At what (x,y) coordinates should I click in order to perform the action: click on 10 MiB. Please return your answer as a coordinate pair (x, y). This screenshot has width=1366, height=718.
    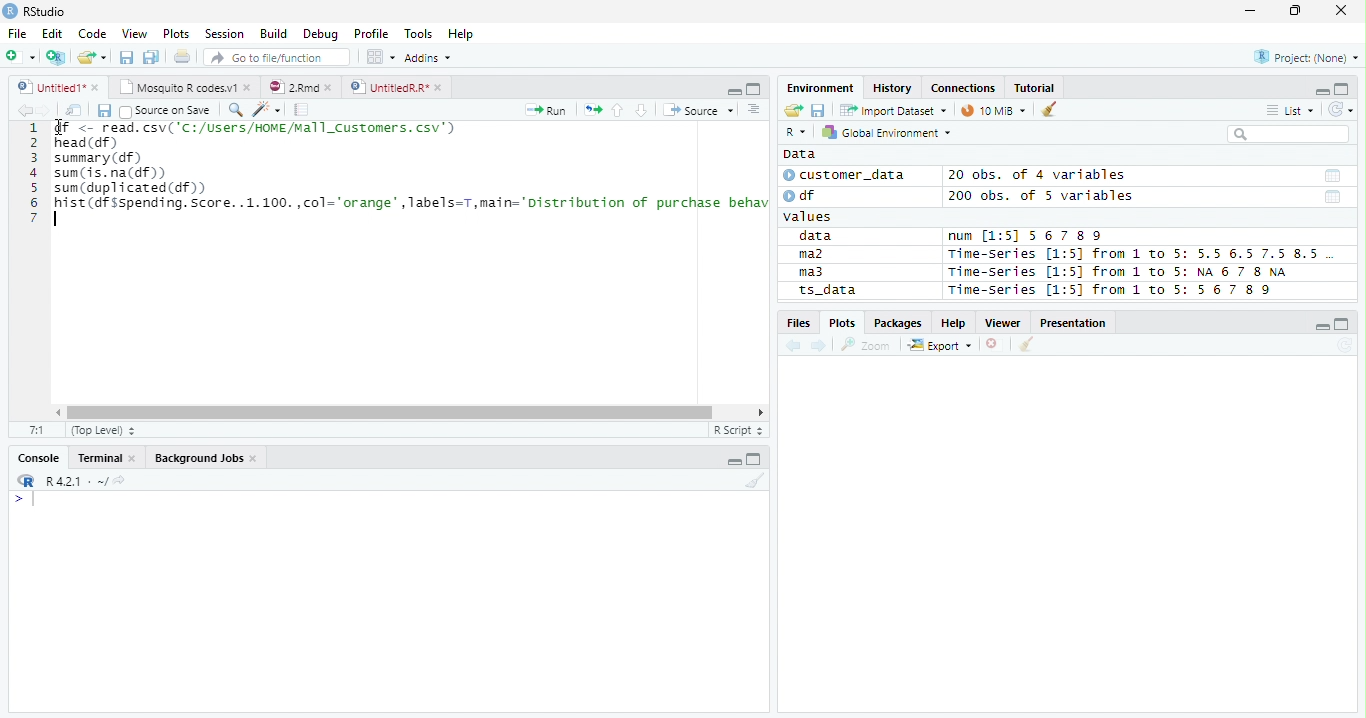
    Looking at the image, I should click on (995, 110).